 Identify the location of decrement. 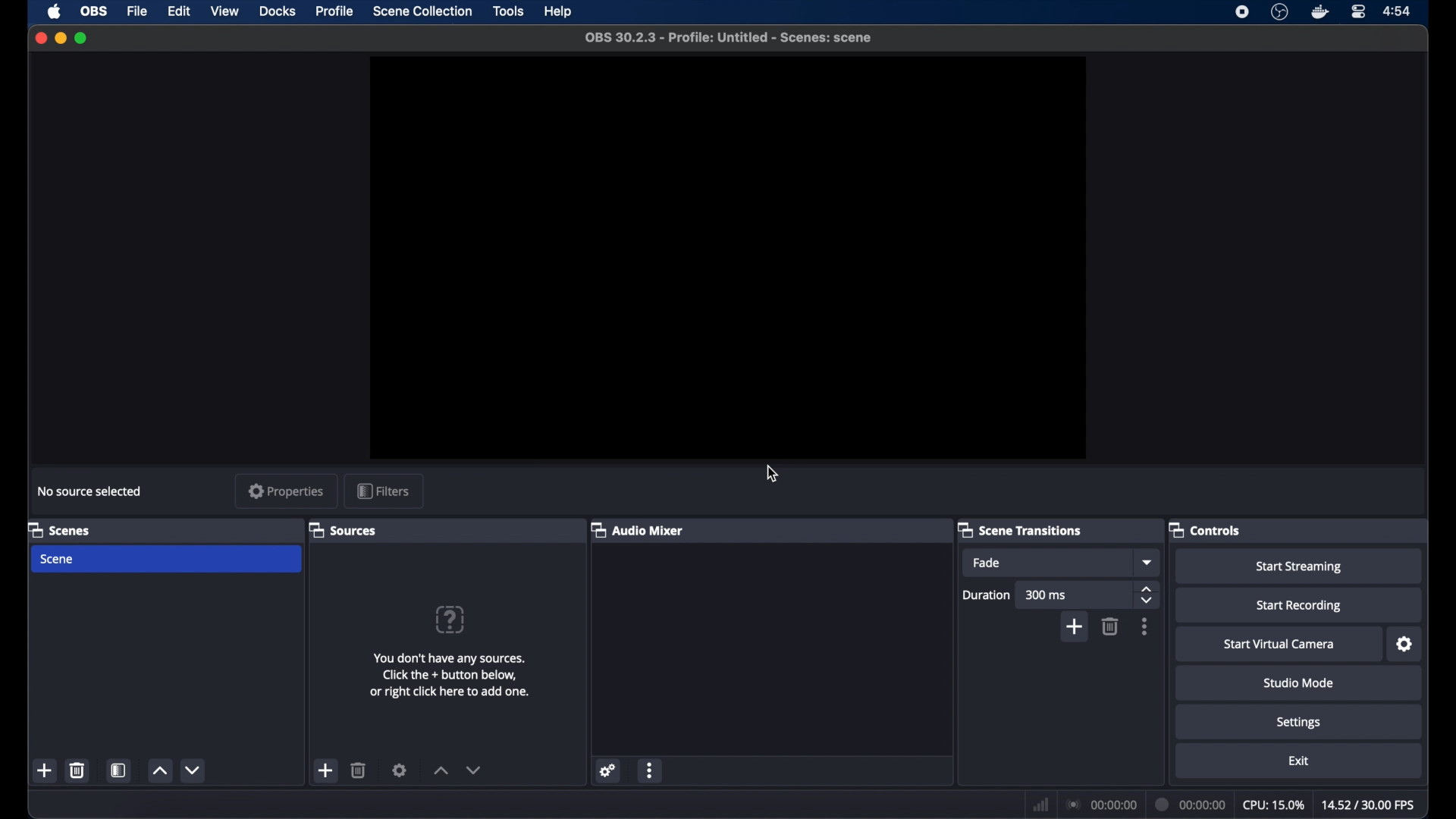
(473, 769).